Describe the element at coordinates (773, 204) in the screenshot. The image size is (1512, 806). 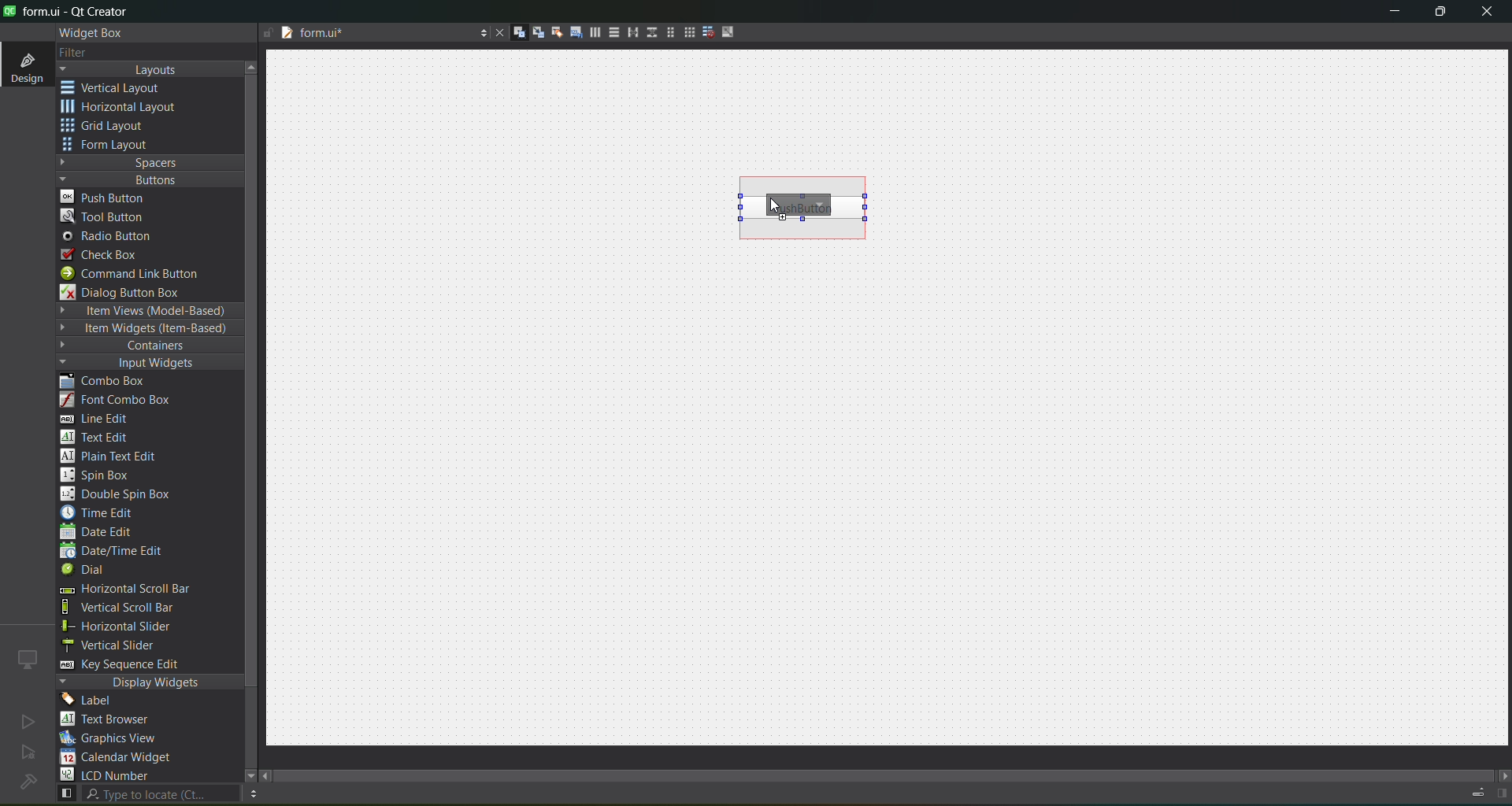
I see `cursor` at that location.